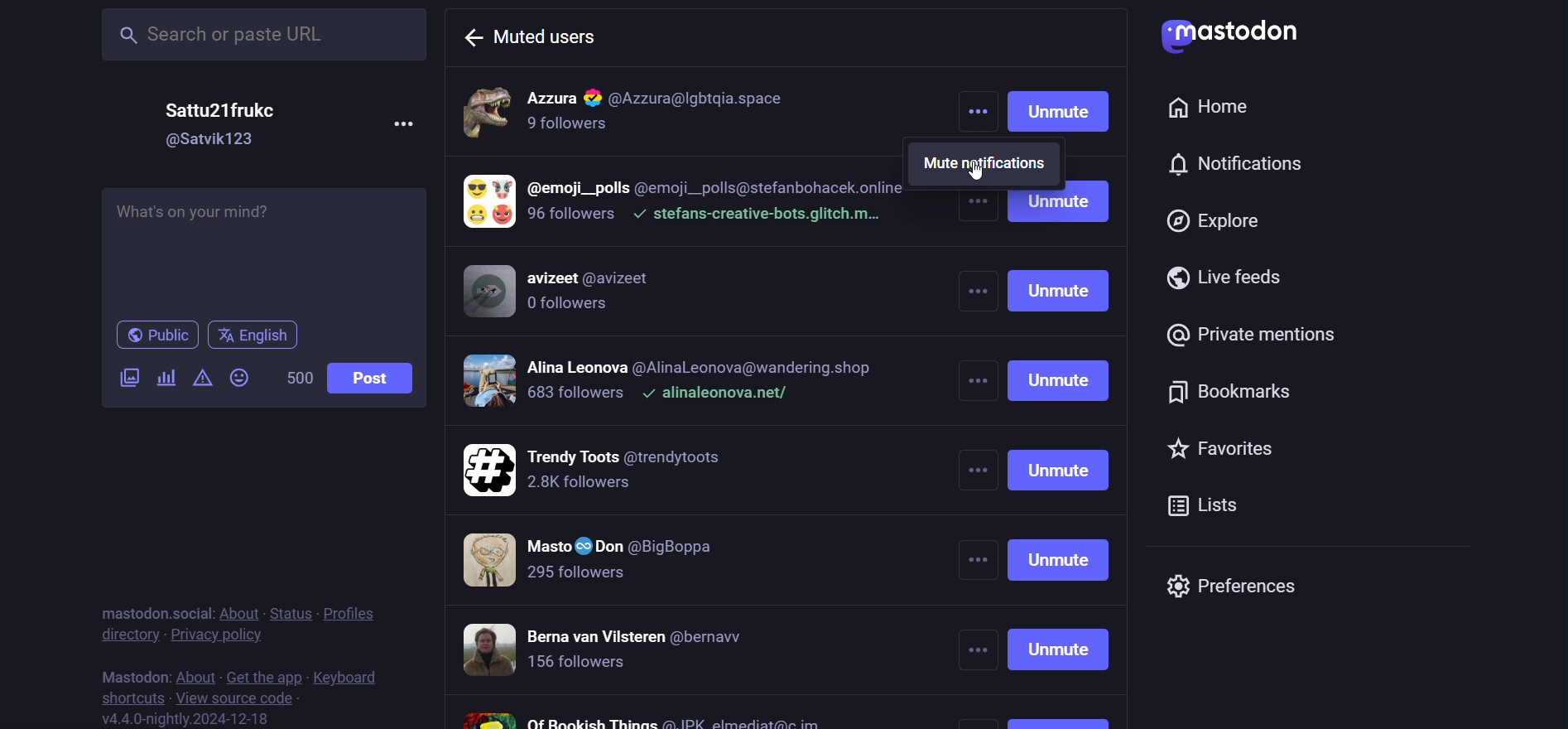 The height and width of the screenshot is (729, 1568). Describe the element at coordinates (406, 125) in the screenshot. I see `more` at that location.